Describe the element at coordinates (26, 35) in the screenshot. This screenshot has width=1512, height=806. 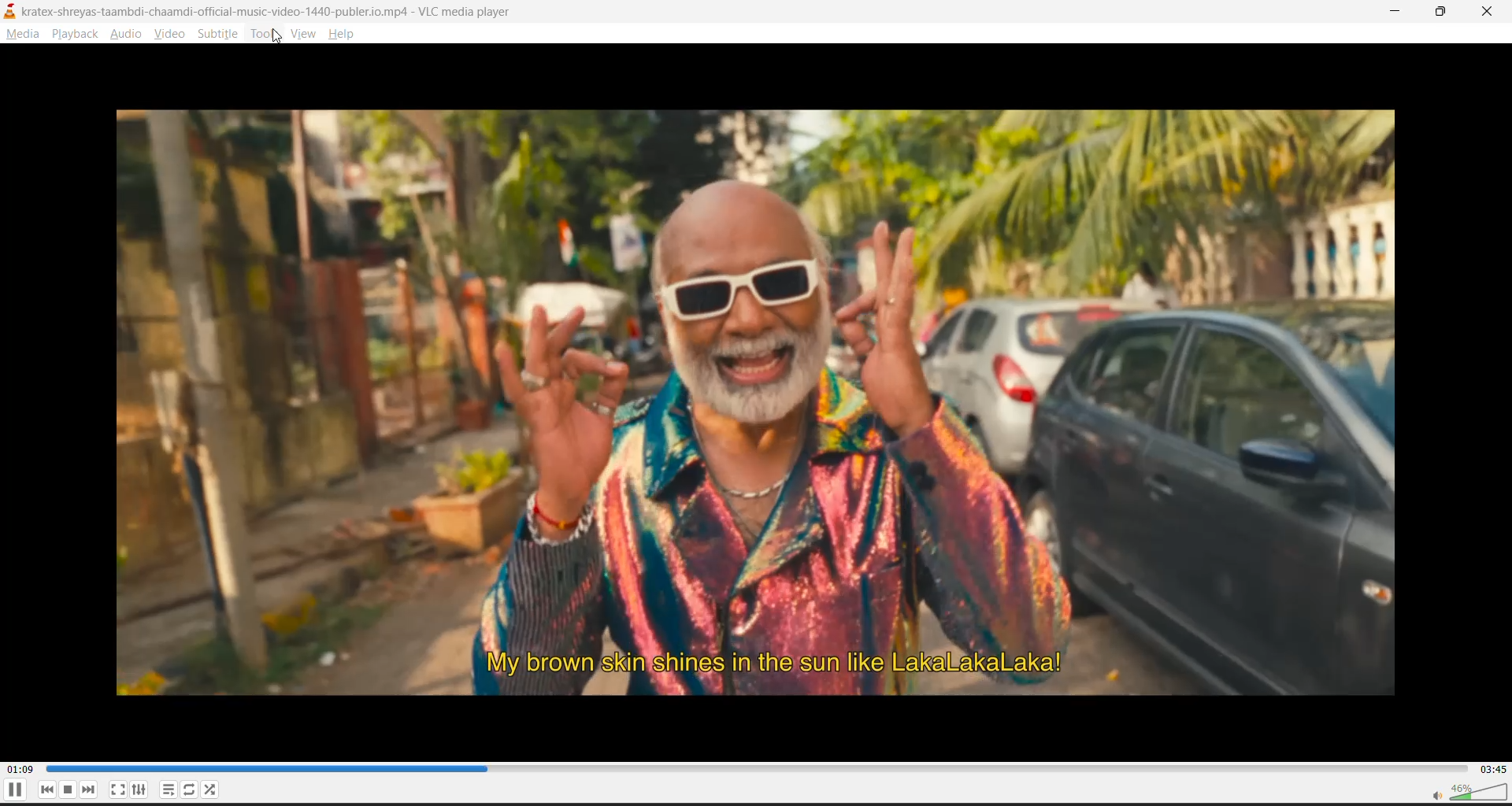
I see `media` at that location.